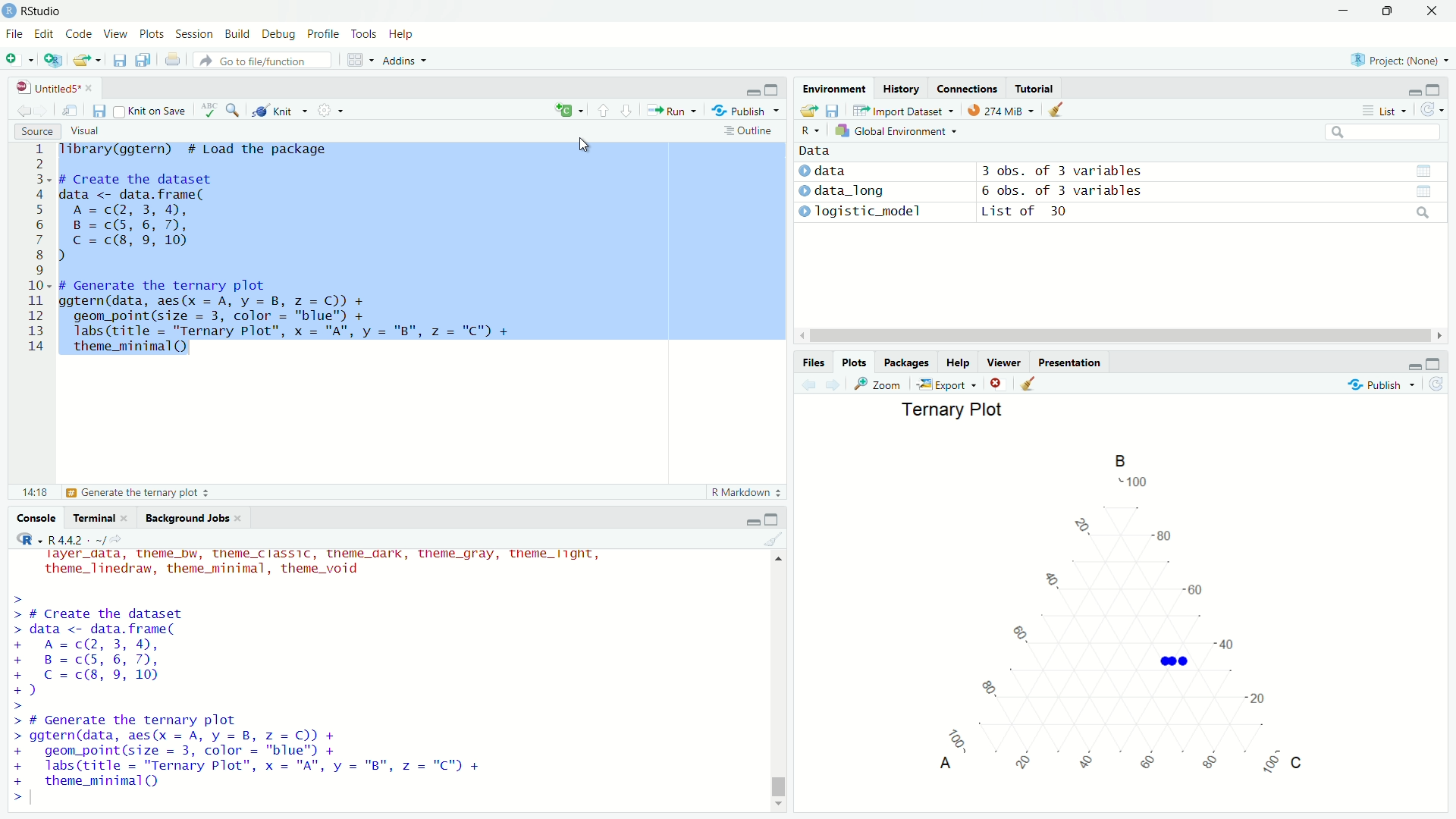  Describe the element at coordinates (839, 385) in the screenshot. I see `next` at that location.